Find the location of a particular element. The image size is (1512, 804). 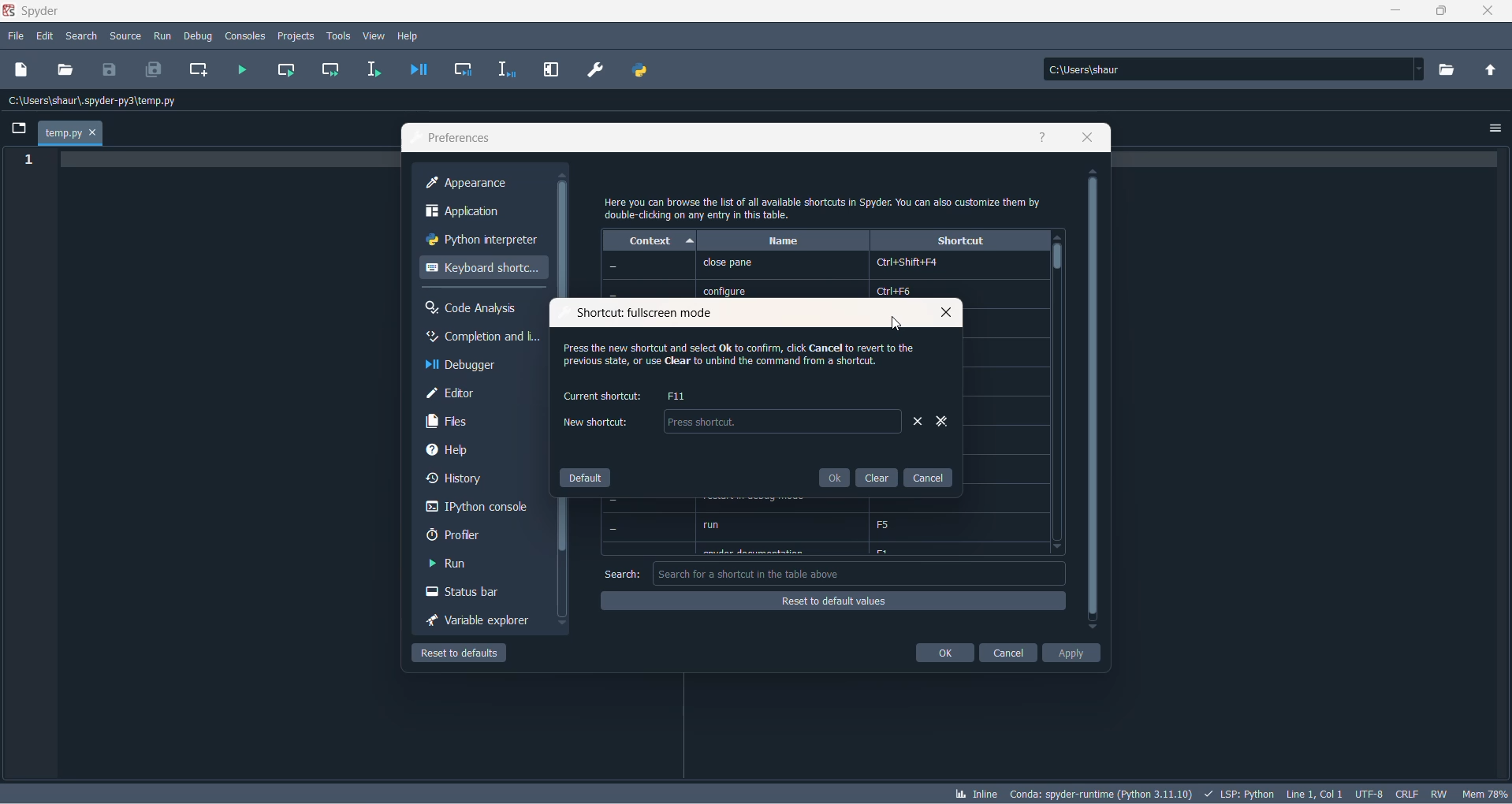

minimize is located at coordinates (1399, 13).